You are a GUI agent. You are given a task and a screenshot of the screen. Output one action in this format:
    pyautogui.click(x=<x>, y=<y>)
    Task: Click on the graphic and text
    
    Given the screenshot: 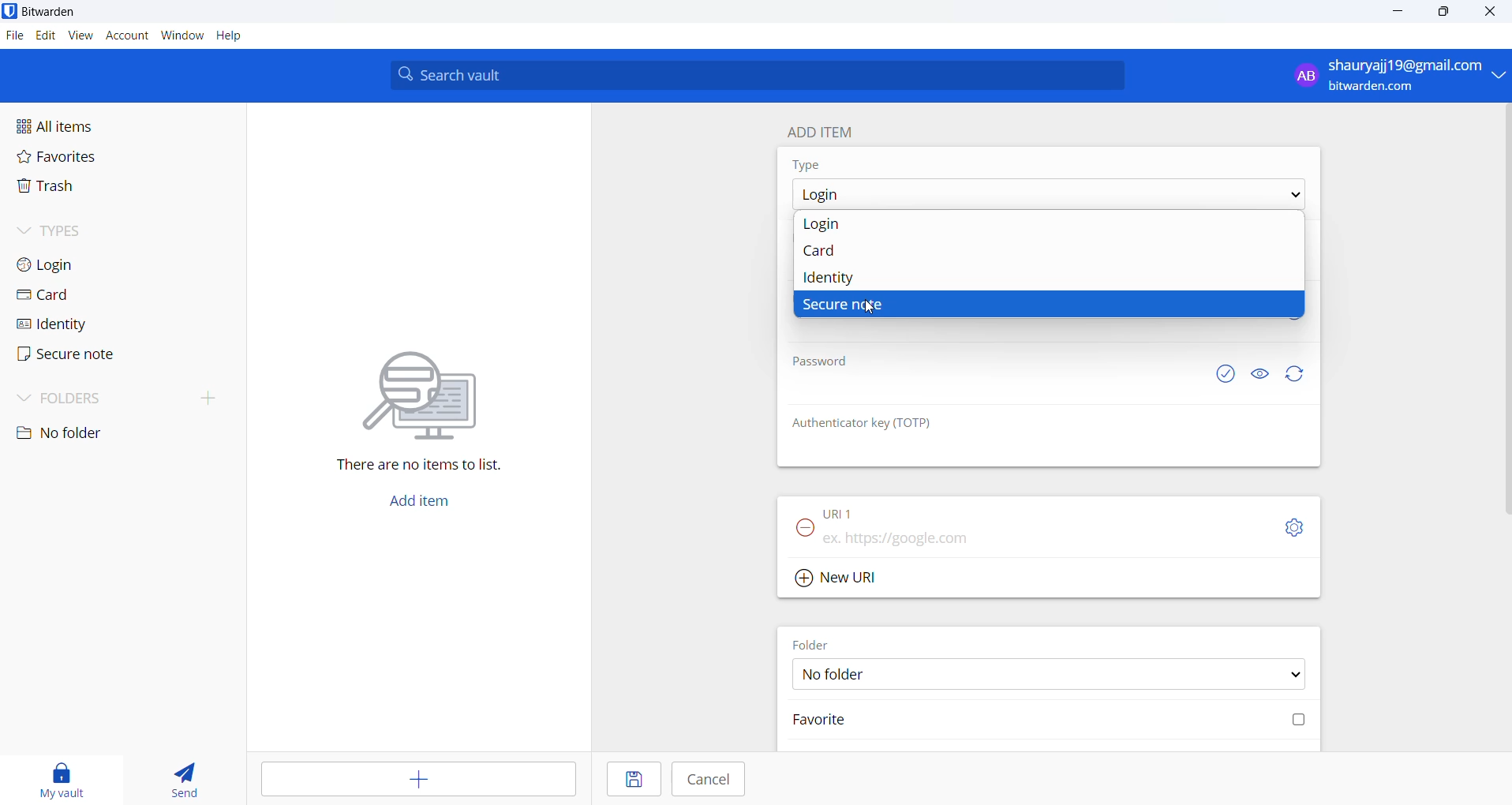 What is the action you would take?
    pyautogui.click(x=422, y=401)
    